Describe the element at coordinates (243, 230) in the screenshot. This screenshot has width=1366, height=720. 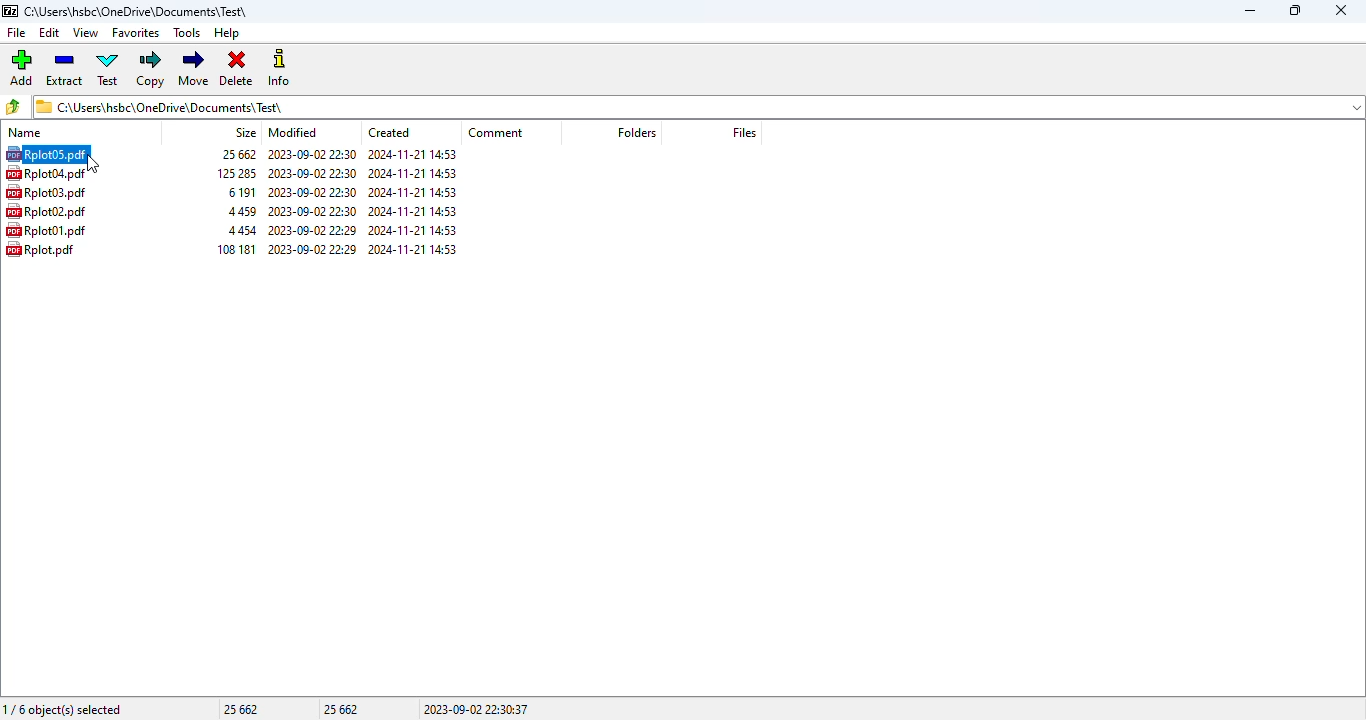
I see `size` at that location.